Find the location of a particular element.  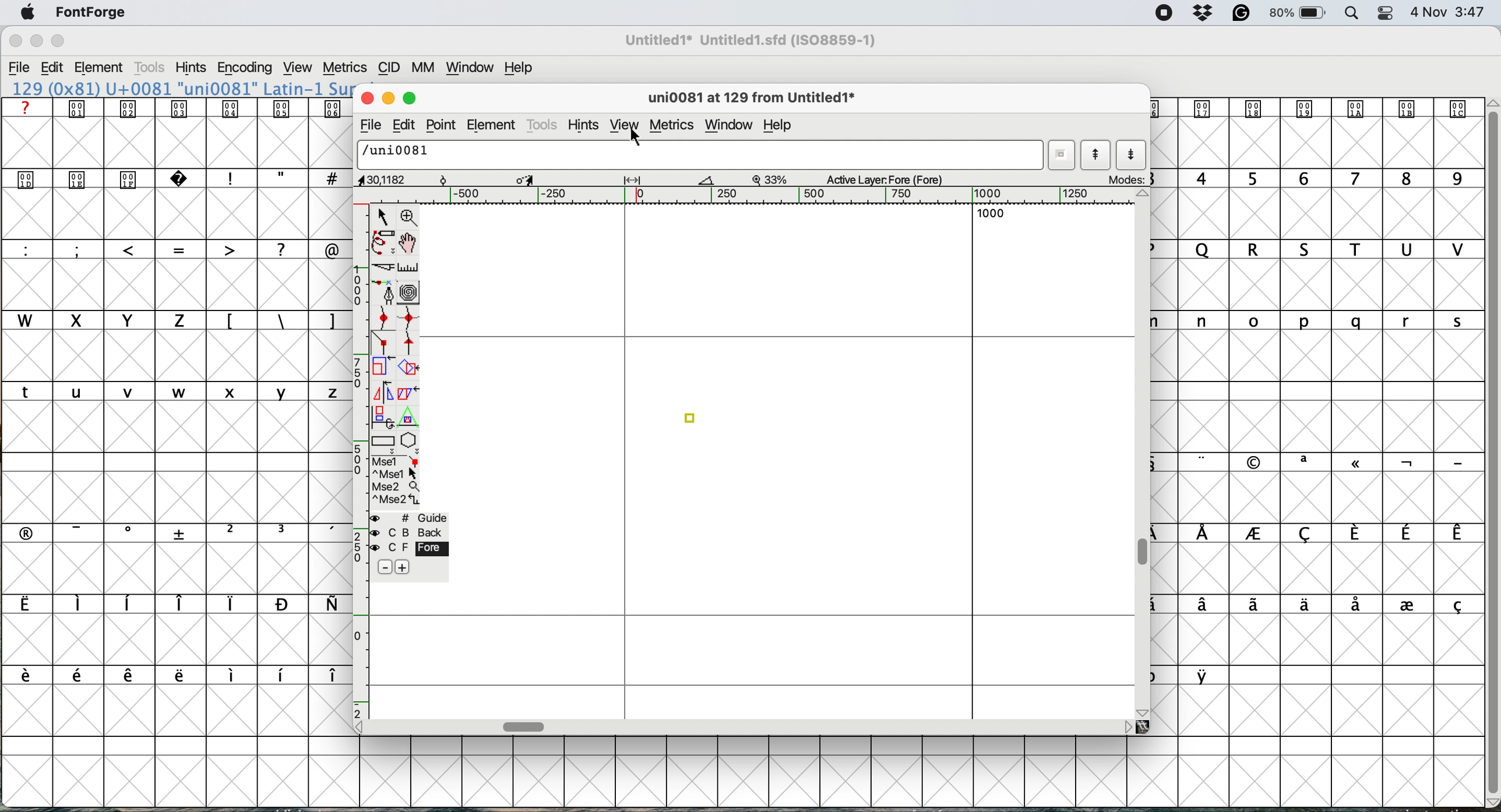

Window is located at coordinates (470, 69).